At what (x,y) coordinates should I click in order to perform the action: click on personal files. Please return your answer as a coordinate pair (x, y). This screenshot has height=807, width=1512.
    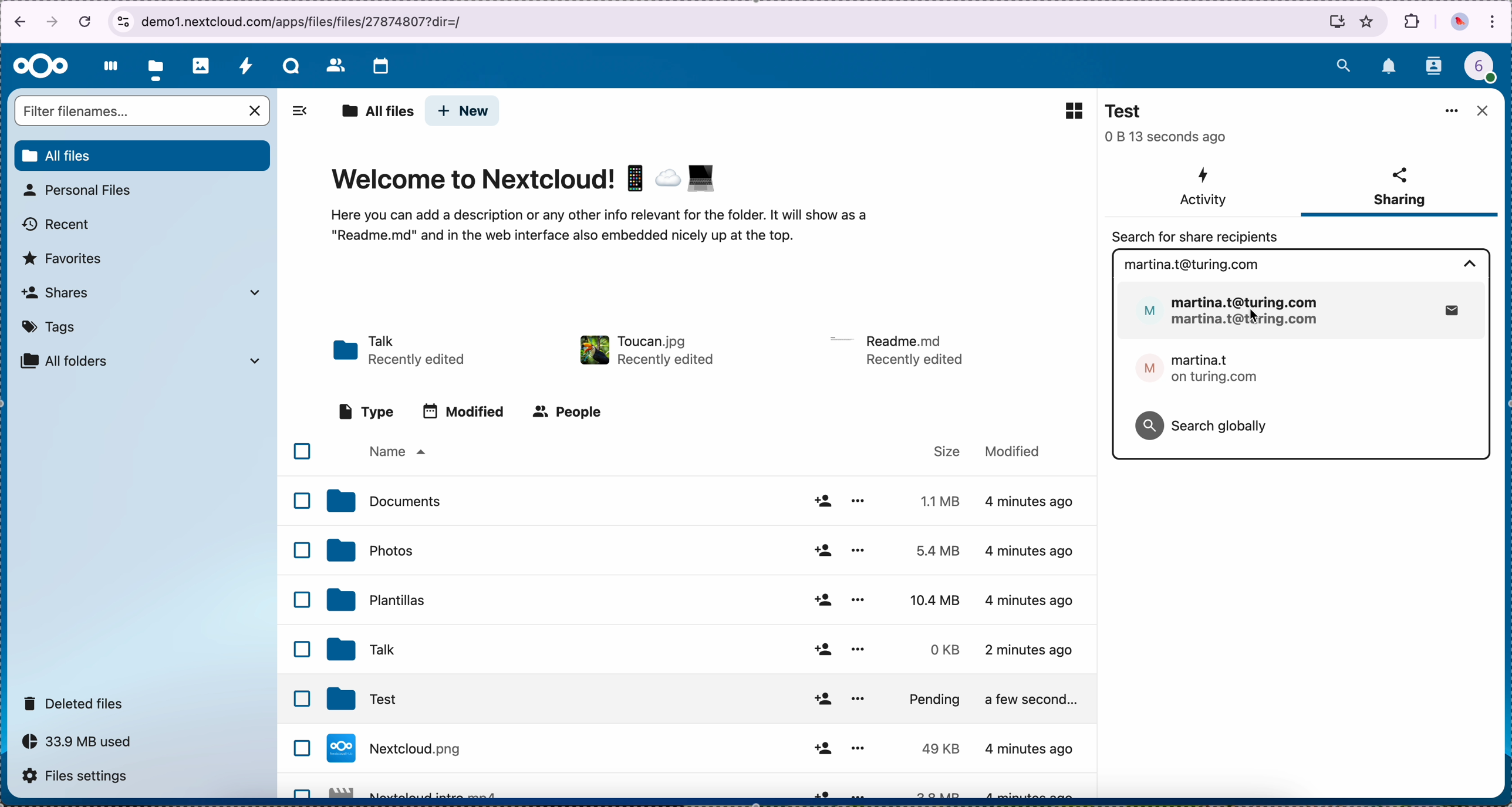
    Looking at the image, I should click on (81, 190).